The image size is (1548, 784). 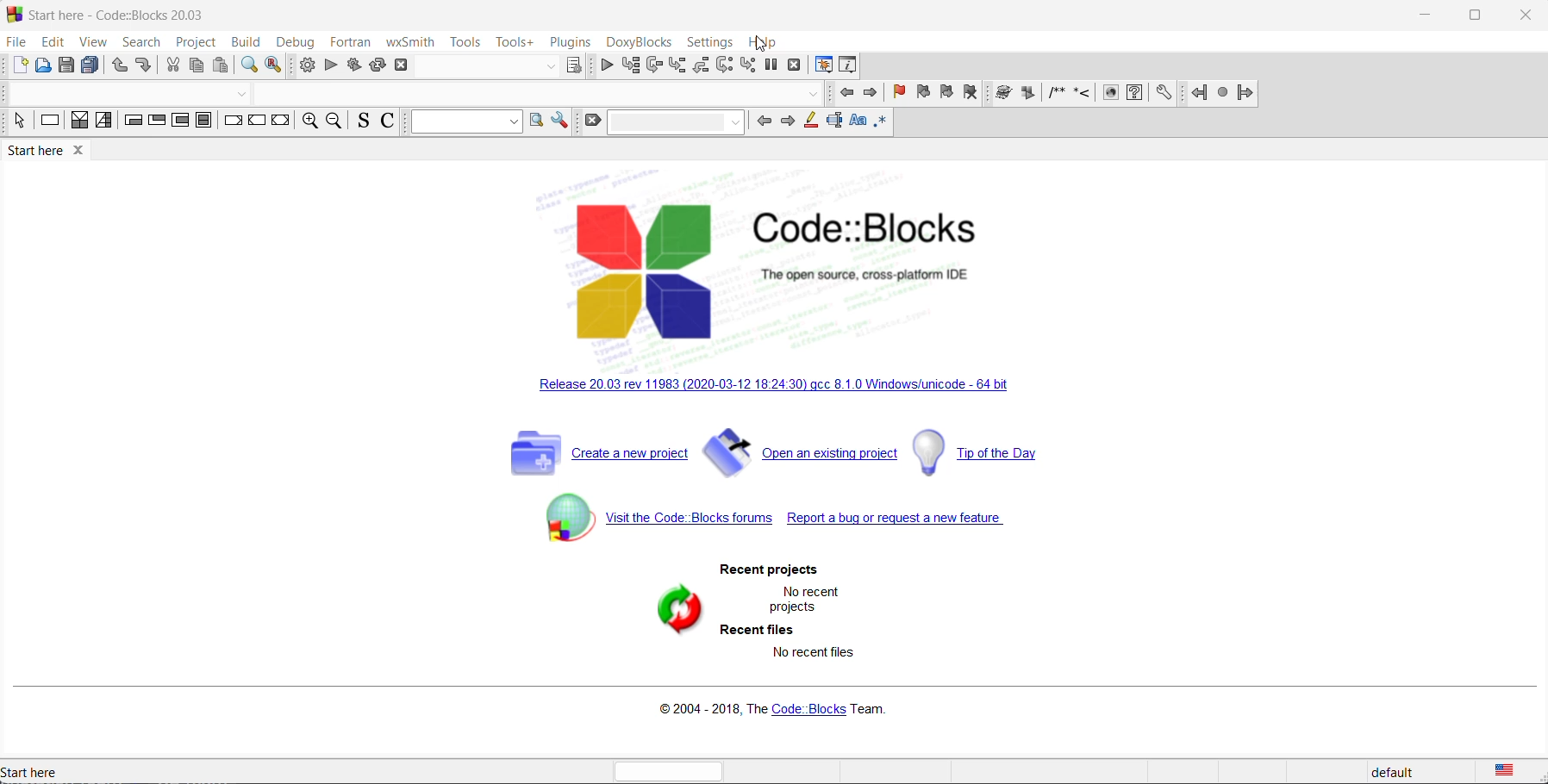 What do you see at coordinates (1111, 94) in the screenshot?
I see `icon` at bounding box center [1111, 94].